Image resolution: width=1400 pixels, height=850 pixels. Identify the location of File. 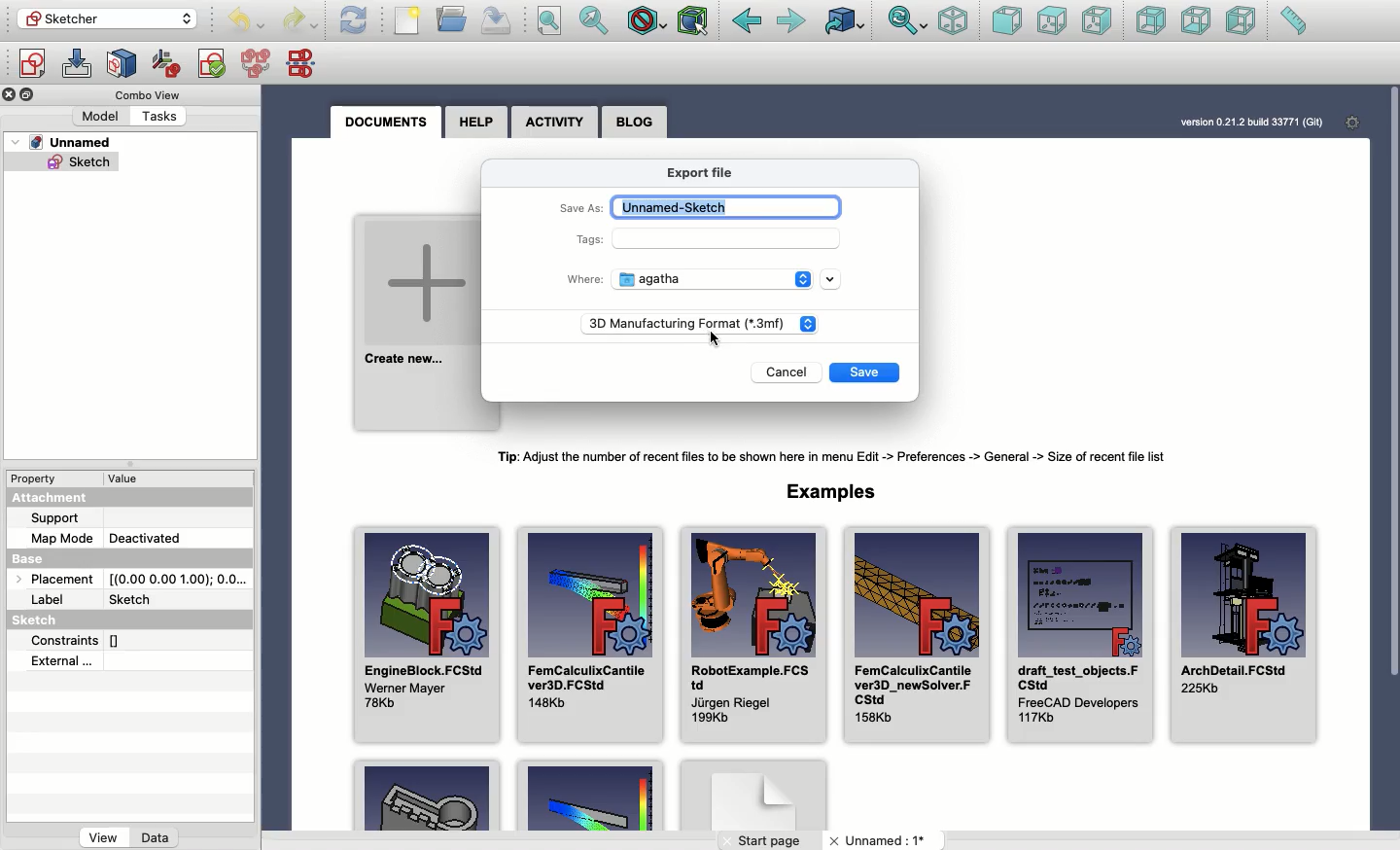
(408, 22).